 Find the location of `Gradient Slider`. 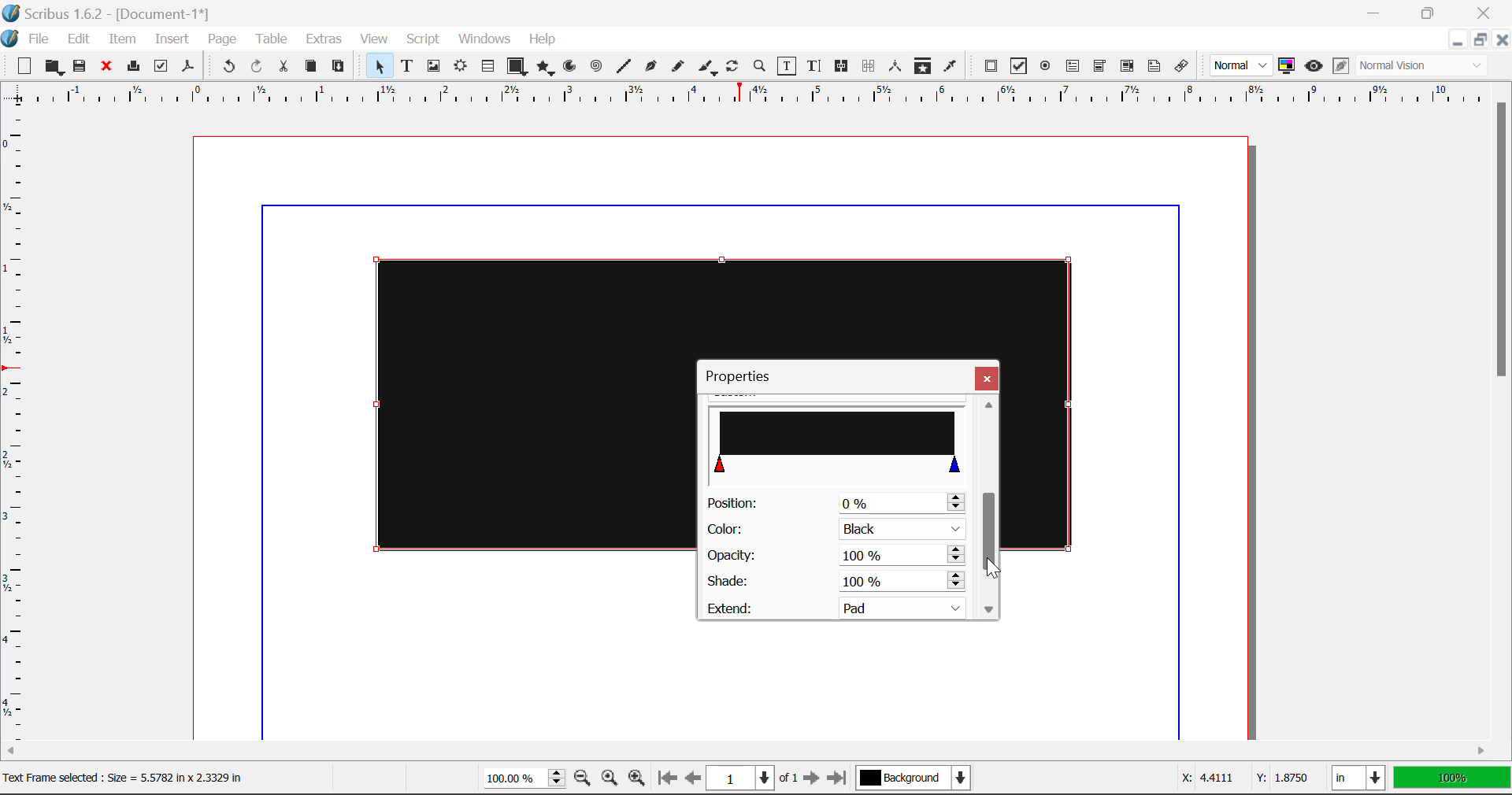

Gradient Slider is located at coordinates (839, 440).